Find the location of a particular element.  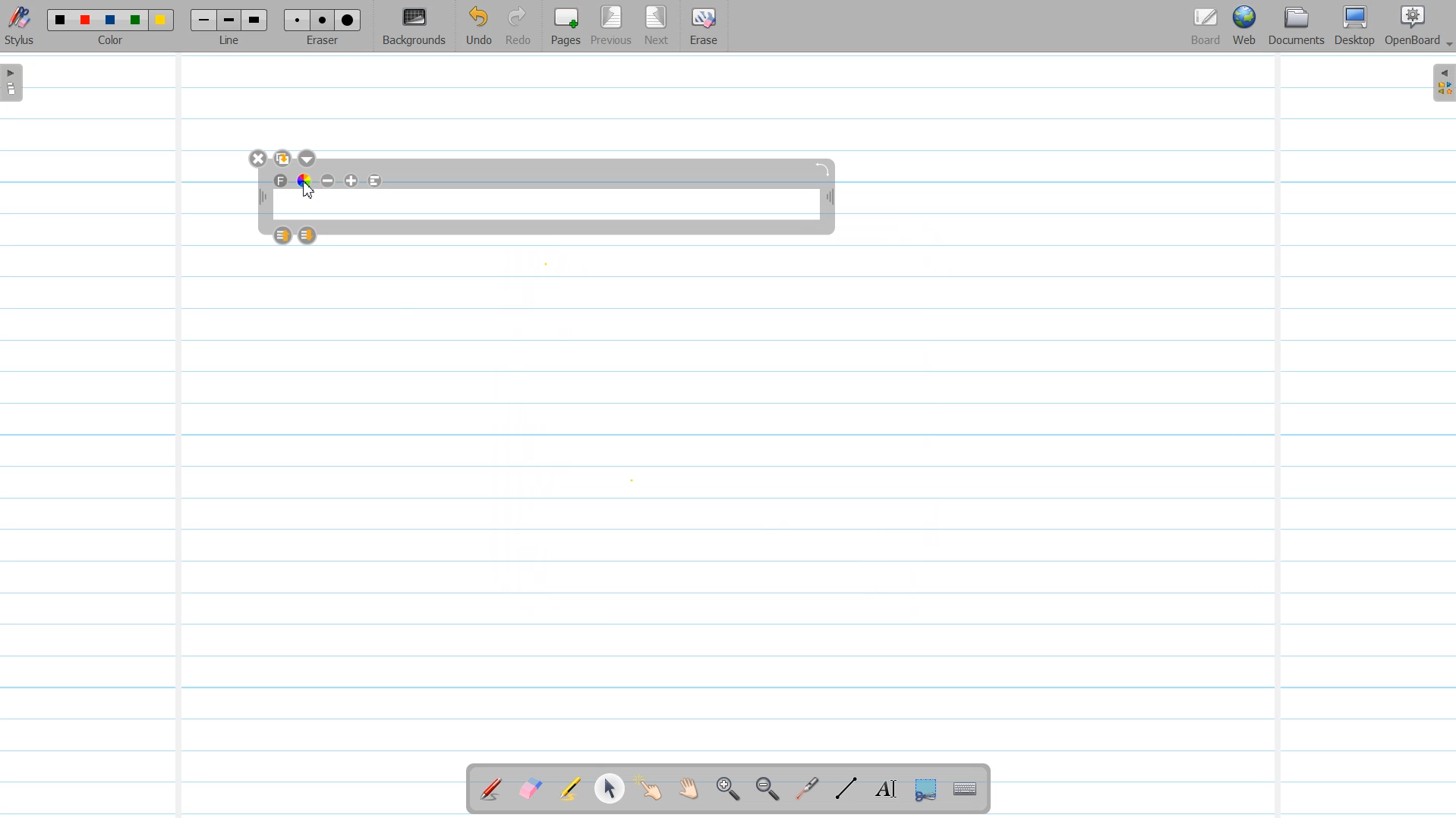

Select and modify Object is located at coordinates (610, 788).